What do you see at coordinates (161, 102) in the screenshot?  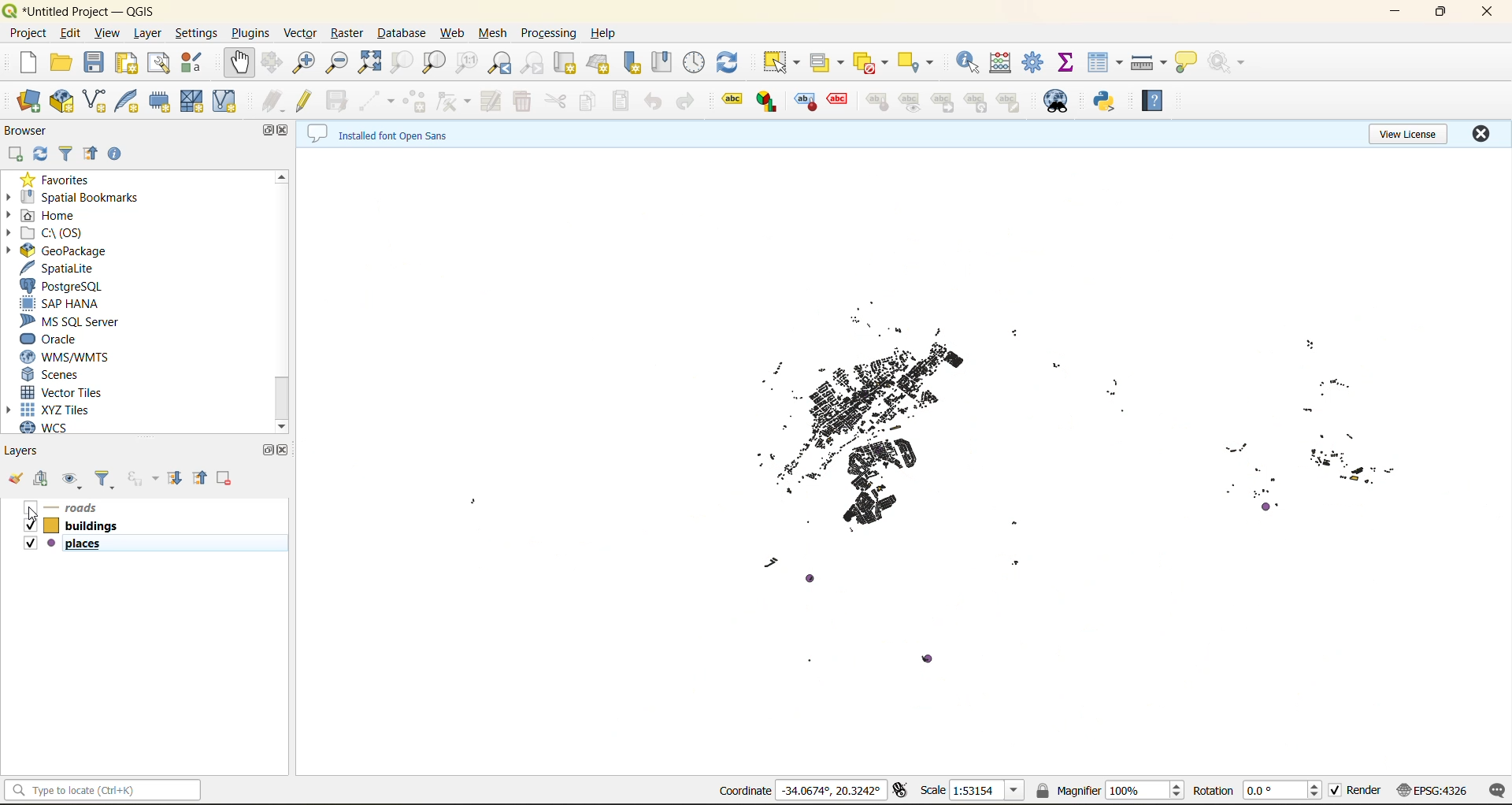 I see `temporary scratch layer` at bounding box center [161, 102].